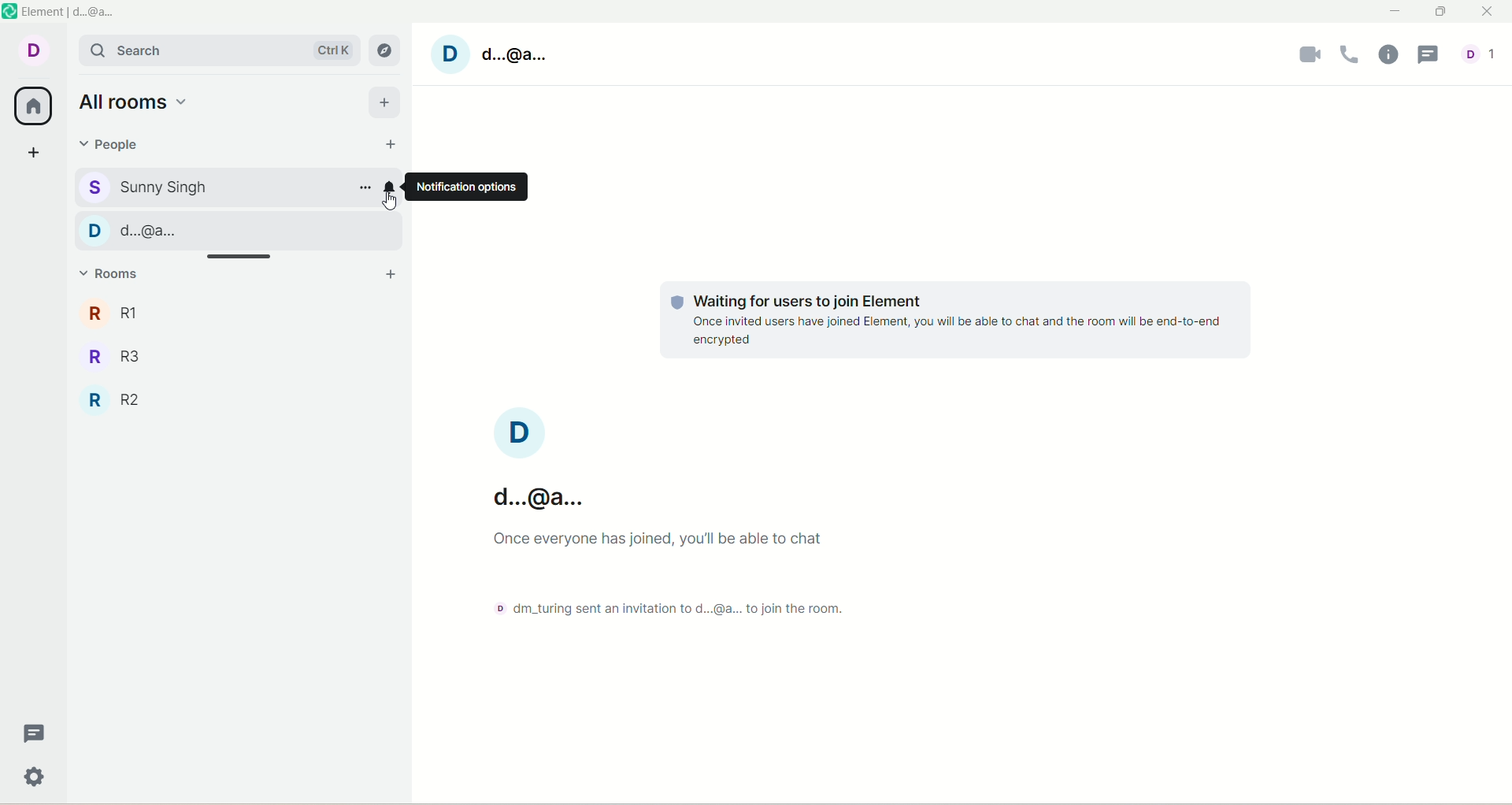 This screenshot has height=805, width=1512. What do you see at coordinates (31, 150) in the screenshot?
I see `create a space` at bounding box center [31, 150].